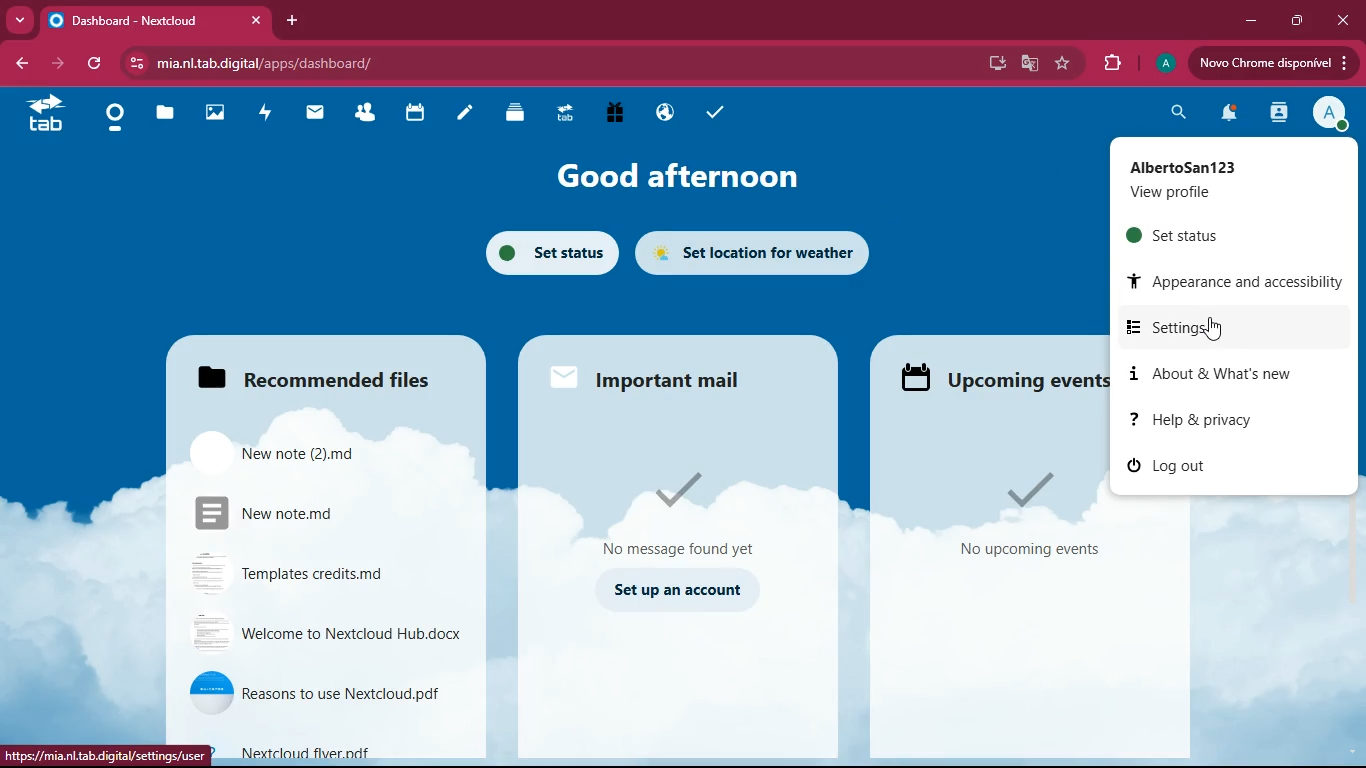  Describe the element at coordinates (998, 380) in the screenshot. I see `upcoming events` at that location.